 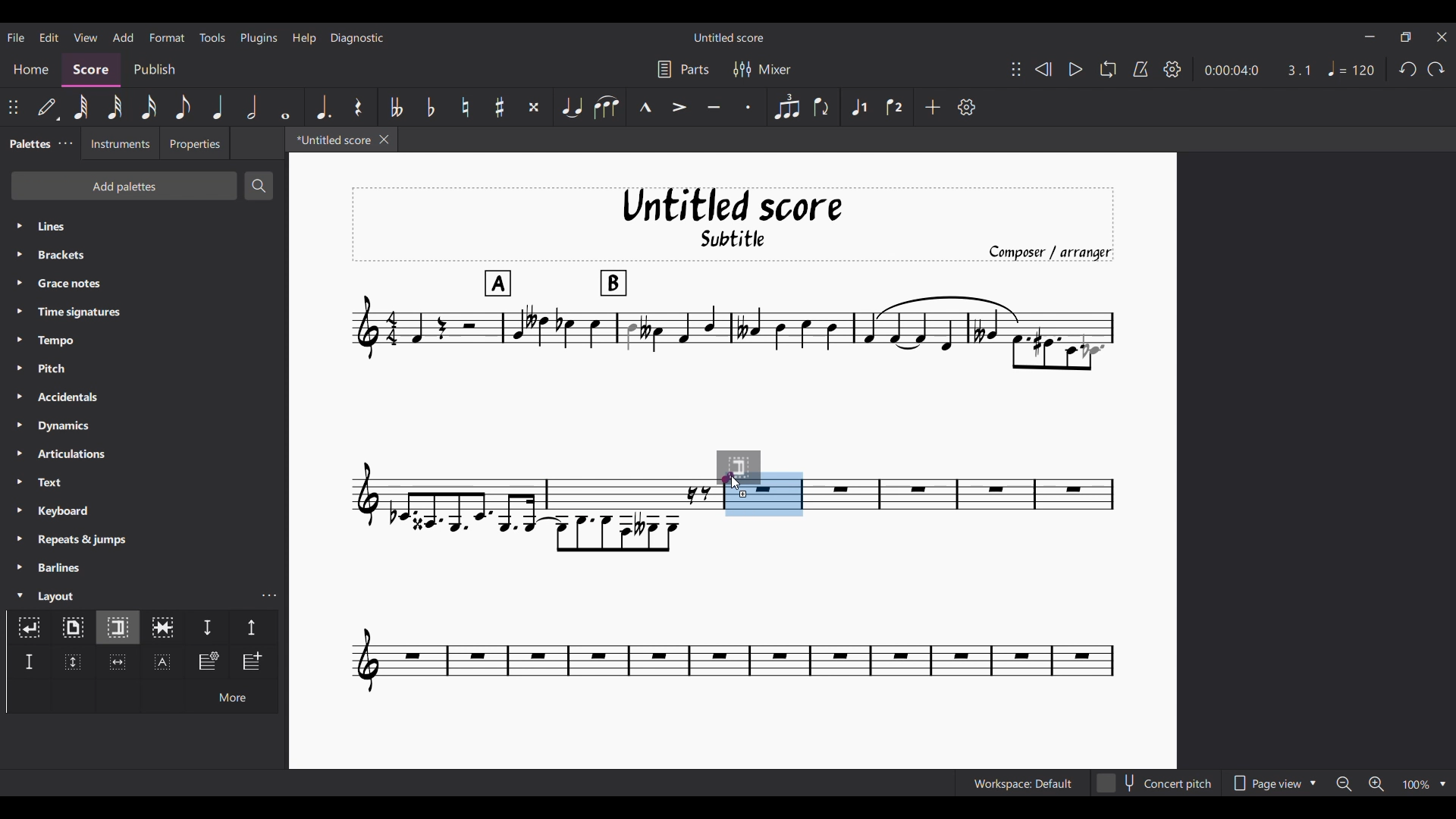 I want to click on Insert text frame, so click(x=163, y=661).